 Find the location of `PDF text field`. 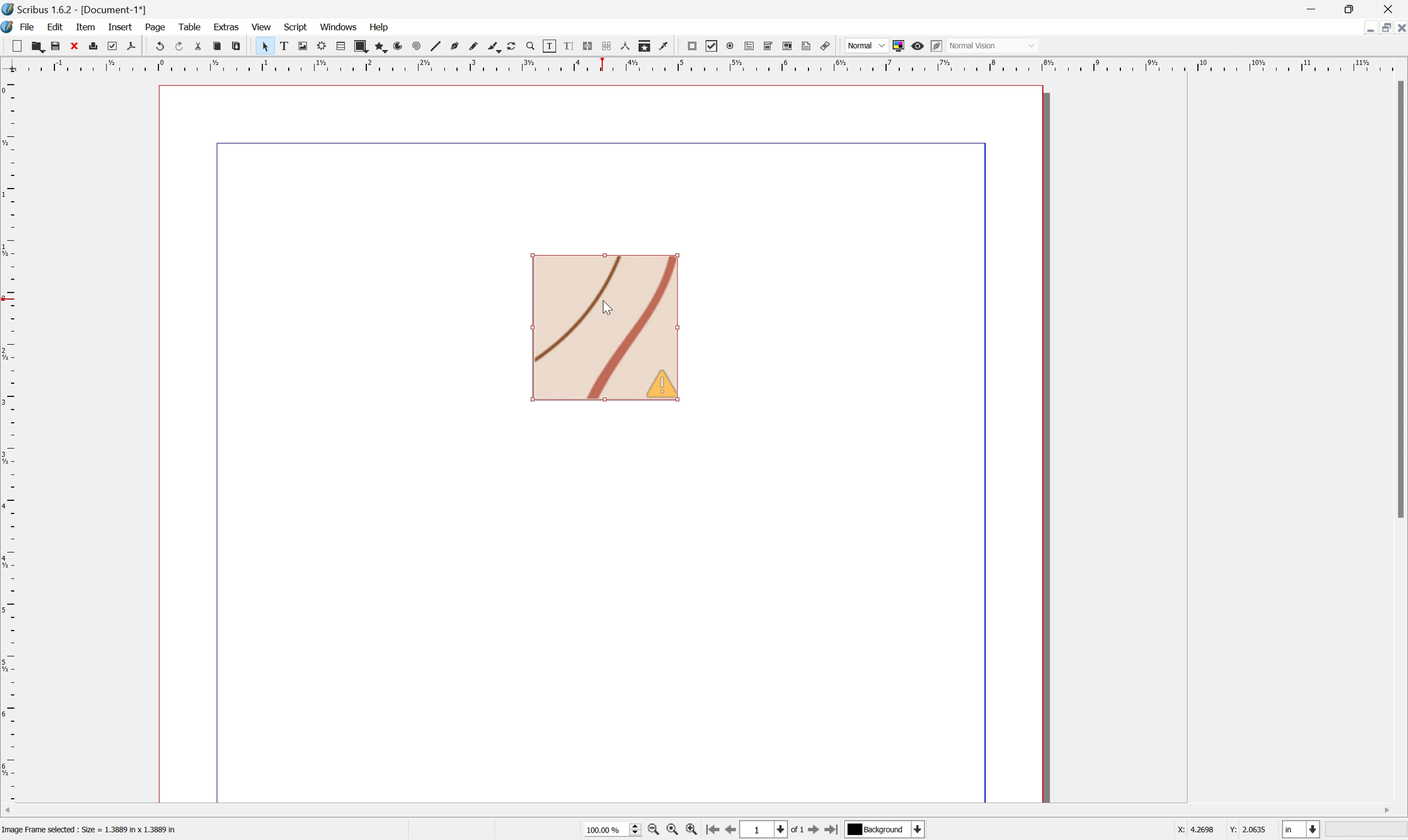

PDF text field is located at coordinates (751, 44).